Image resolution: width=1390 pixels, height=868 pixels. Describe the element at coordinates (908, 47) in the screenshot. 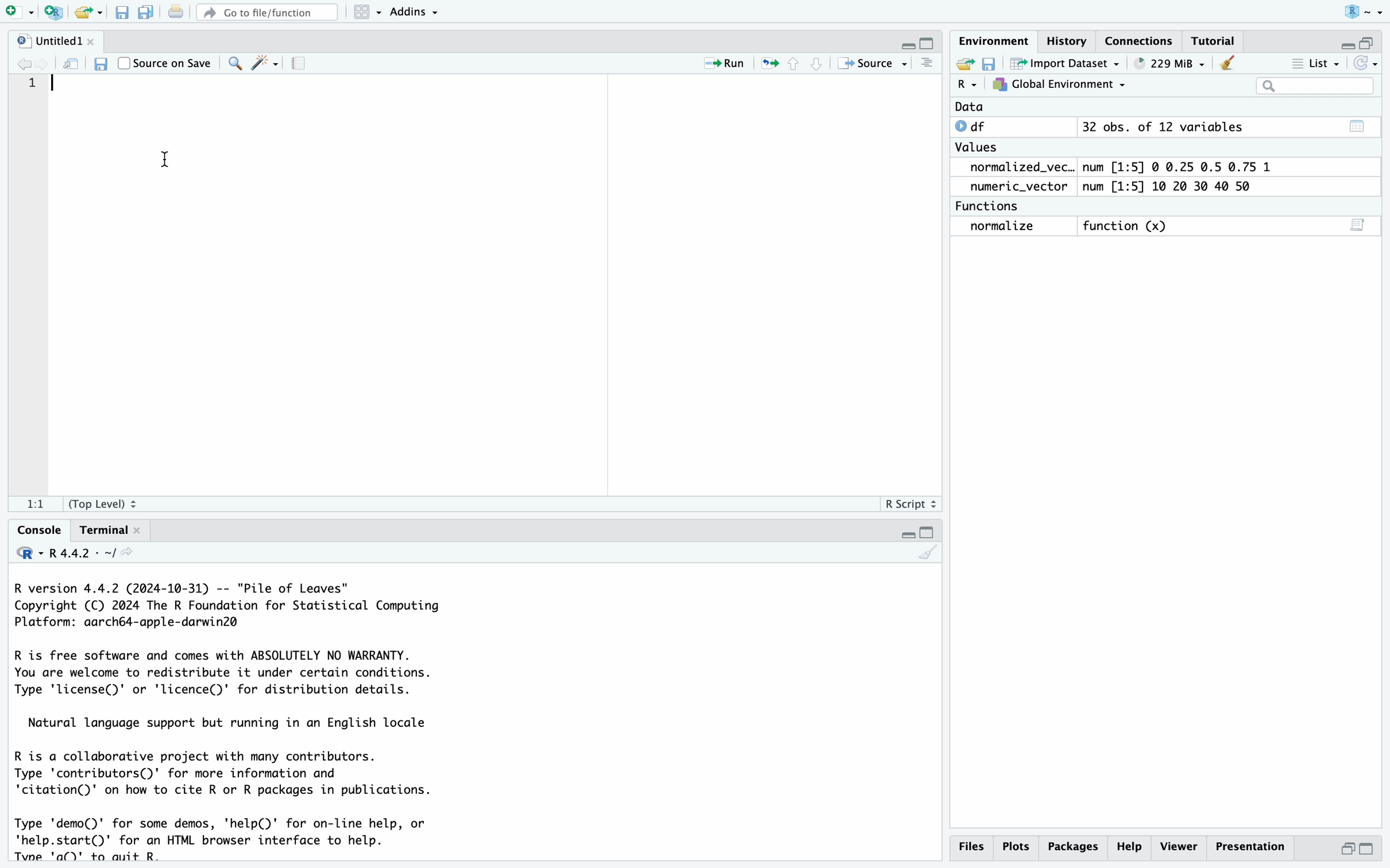

I see `minimize` at that location.